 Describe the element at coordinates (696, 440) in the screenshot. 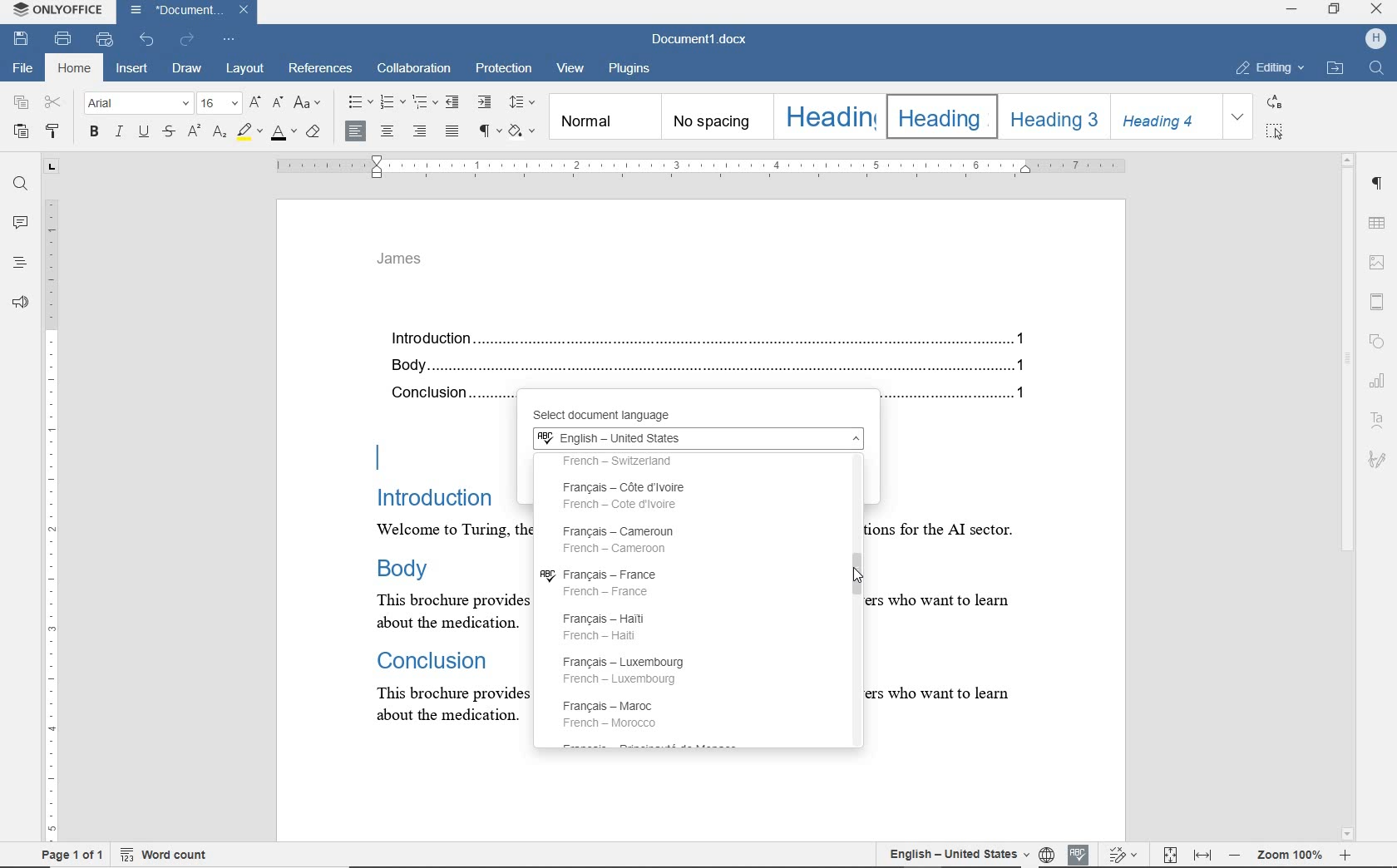

I see `English - United States` at that location.